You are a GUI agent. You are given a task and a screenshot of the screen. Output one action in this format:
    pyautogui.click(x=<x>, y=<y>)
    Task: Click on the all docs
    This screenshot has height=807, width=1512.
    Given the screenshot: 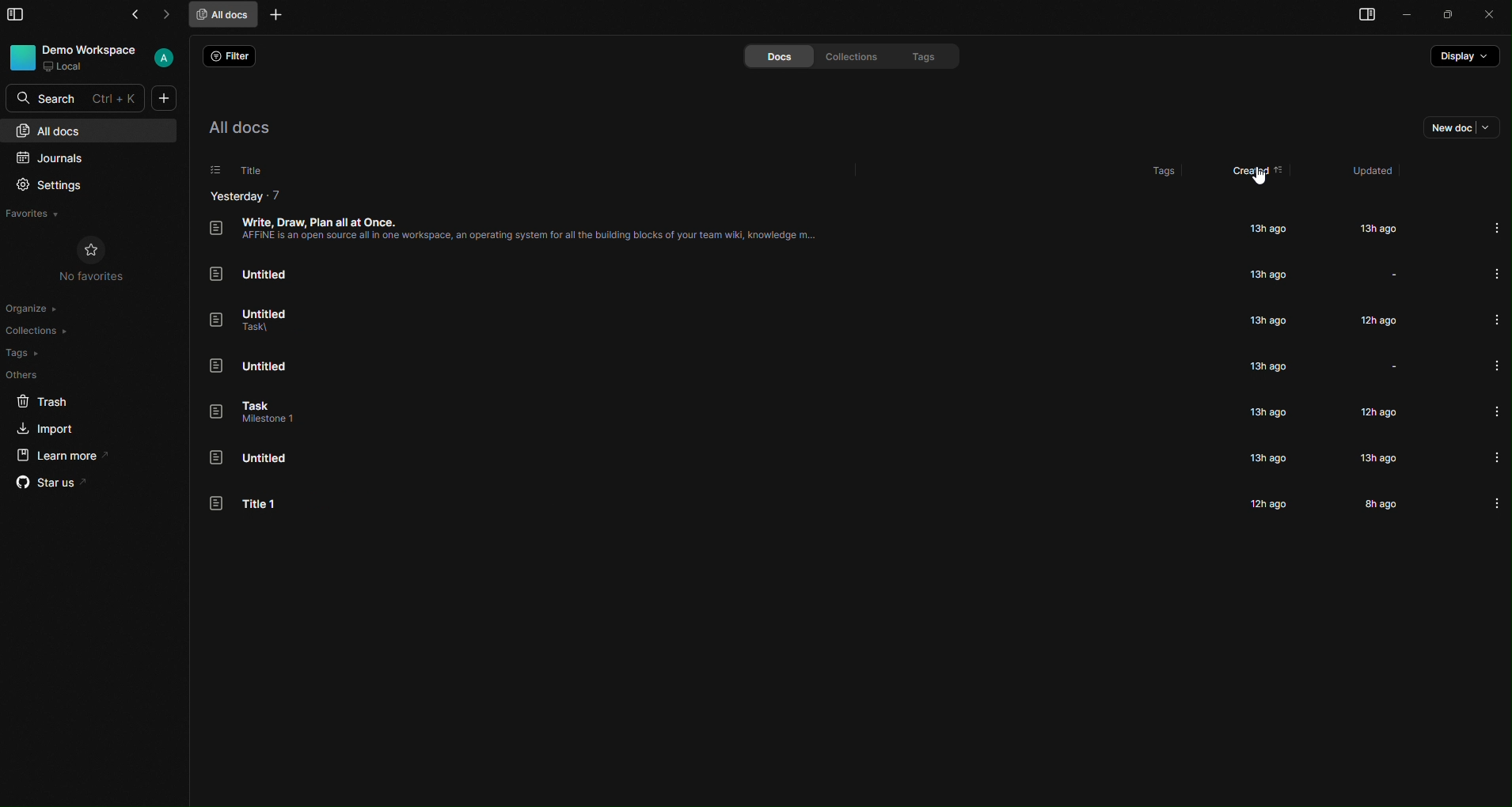 What is the action you would take?
    pyautogui.click(x=246, y=126)
    